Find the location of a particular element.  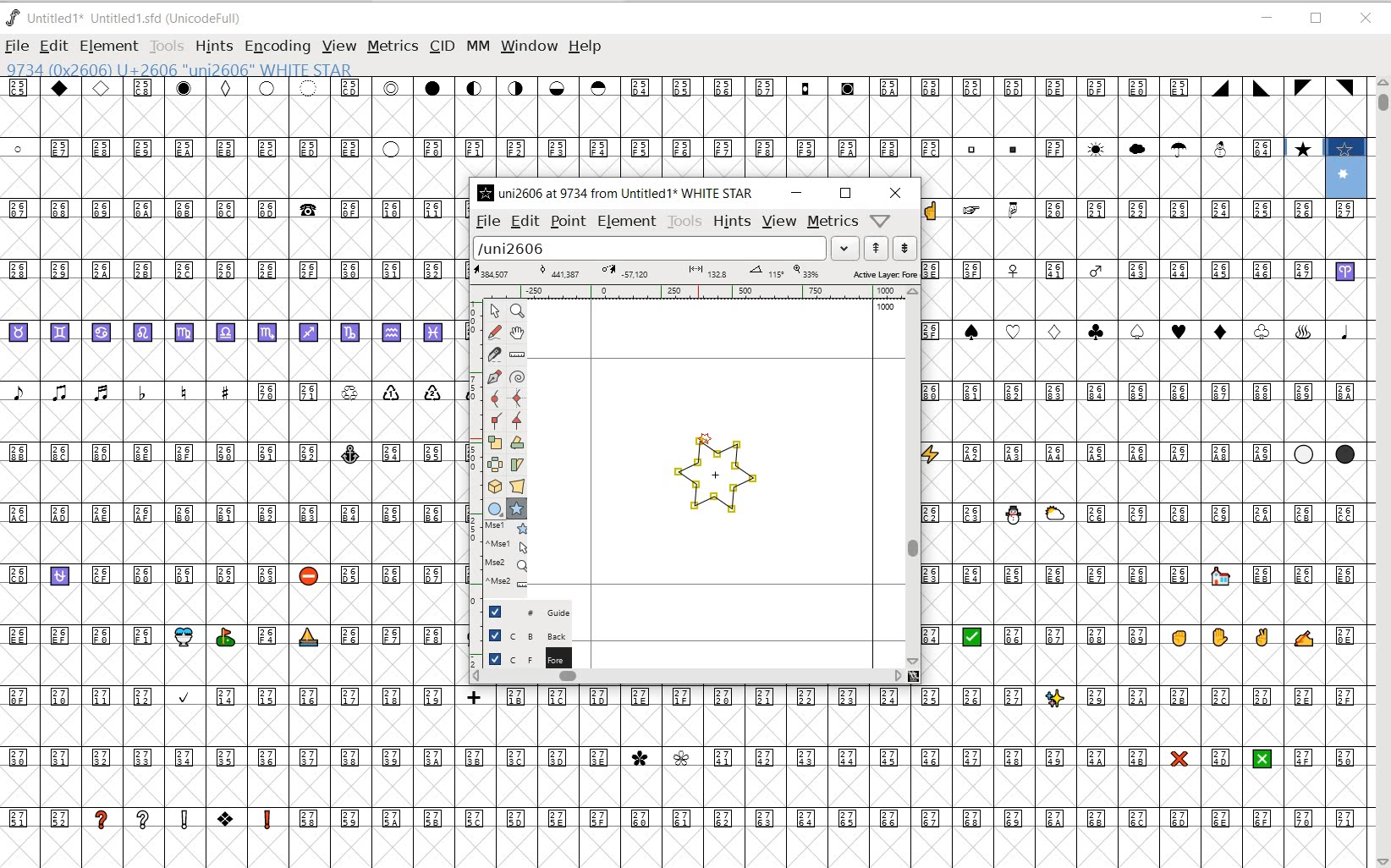

GLYPHY CHARACTERS & NUMBERS is located at coordinates (695, 774).